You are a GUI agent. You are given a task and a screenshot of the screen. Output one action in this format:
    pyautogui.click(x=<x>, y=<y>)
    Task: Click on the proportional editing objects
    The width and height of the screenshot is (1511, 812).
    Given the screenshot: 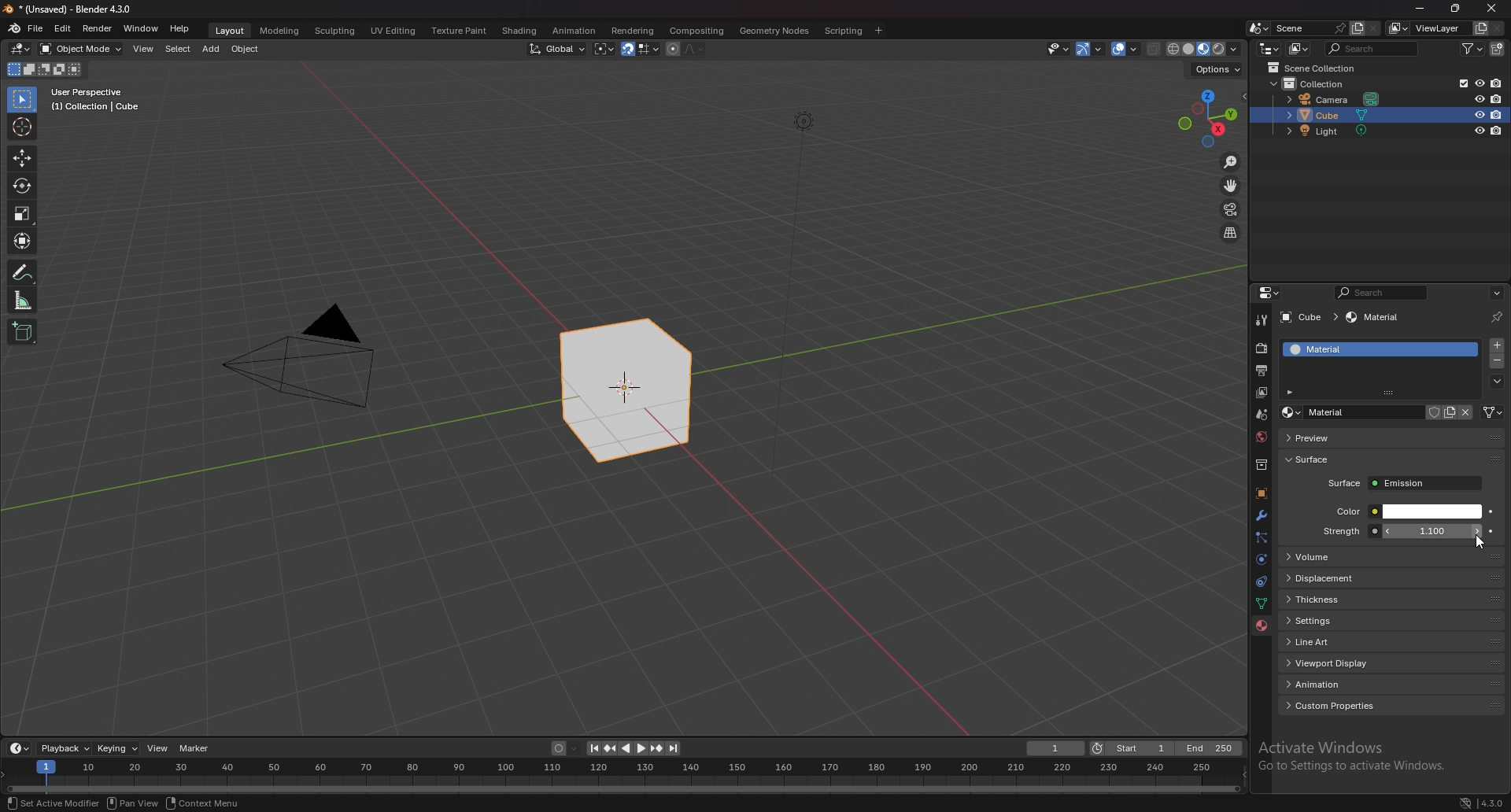 What is the action you would take?
    pyautogui.click(x=671, y=49)
    